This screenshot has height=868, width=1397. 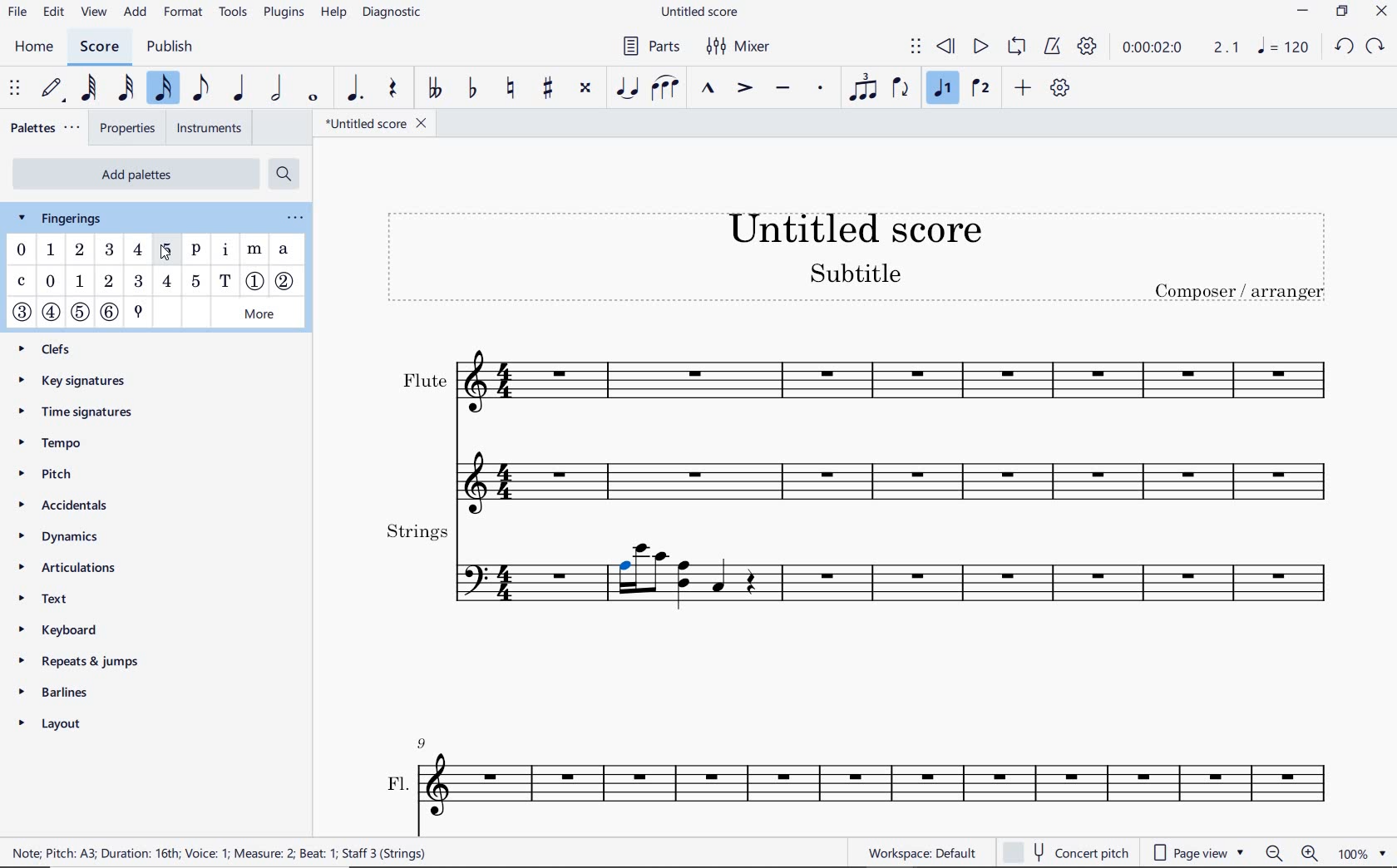 I want to click on toggle flat, so click(x=472, y=89).